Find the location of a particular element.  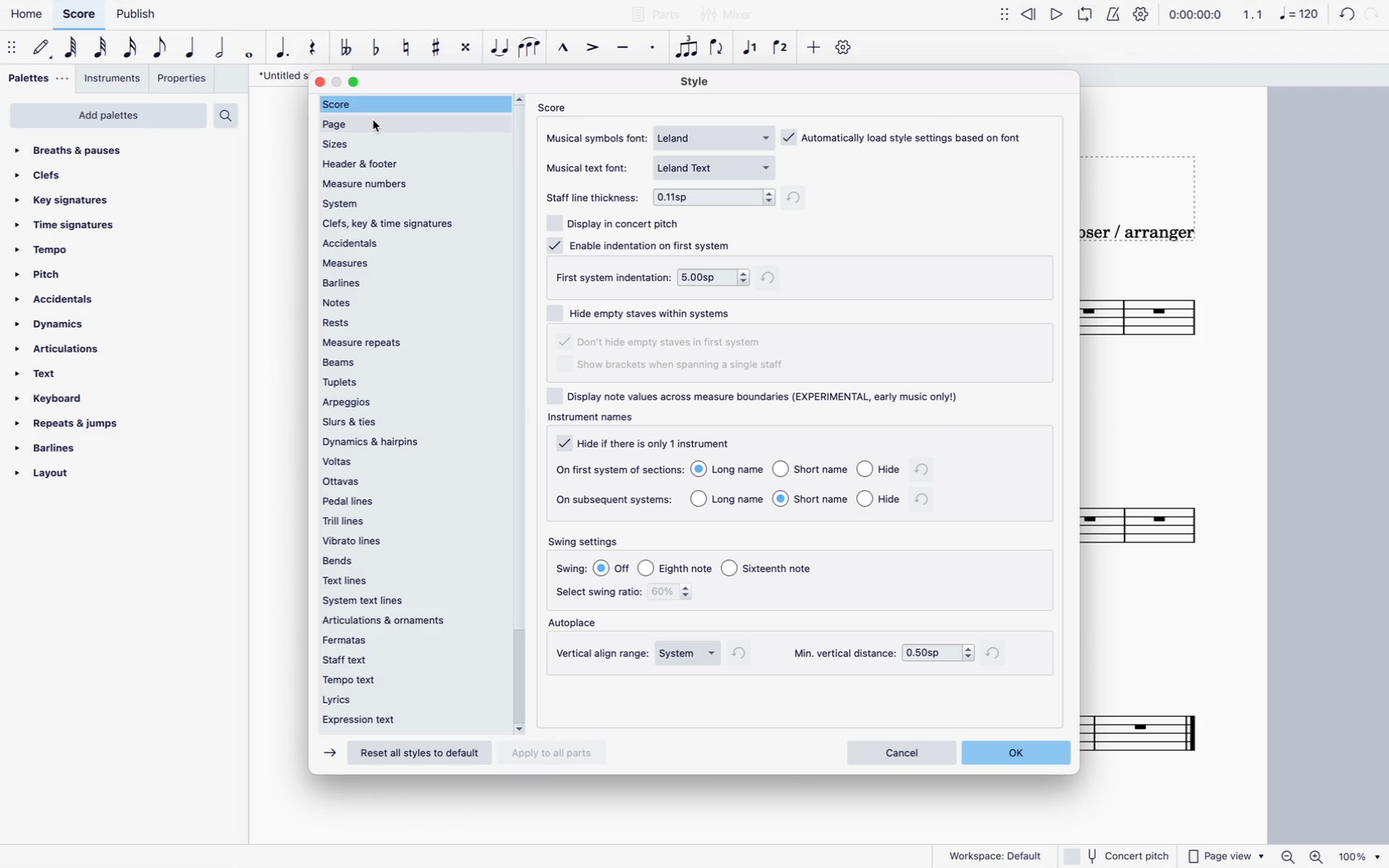

select swing ratio is located at coordinates (599, 596).